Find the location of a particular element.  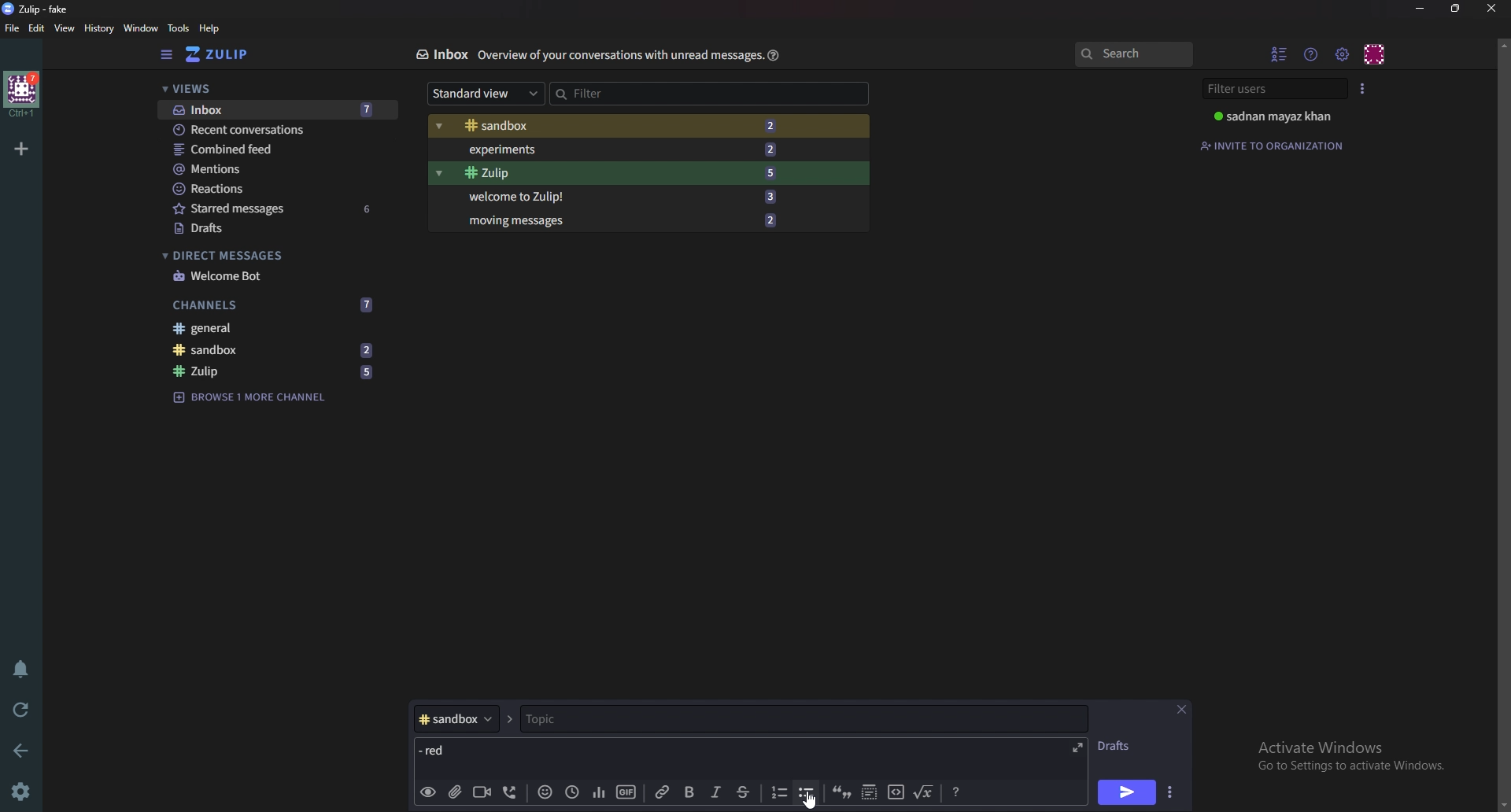

Video call is located at coordinates (481, 791).